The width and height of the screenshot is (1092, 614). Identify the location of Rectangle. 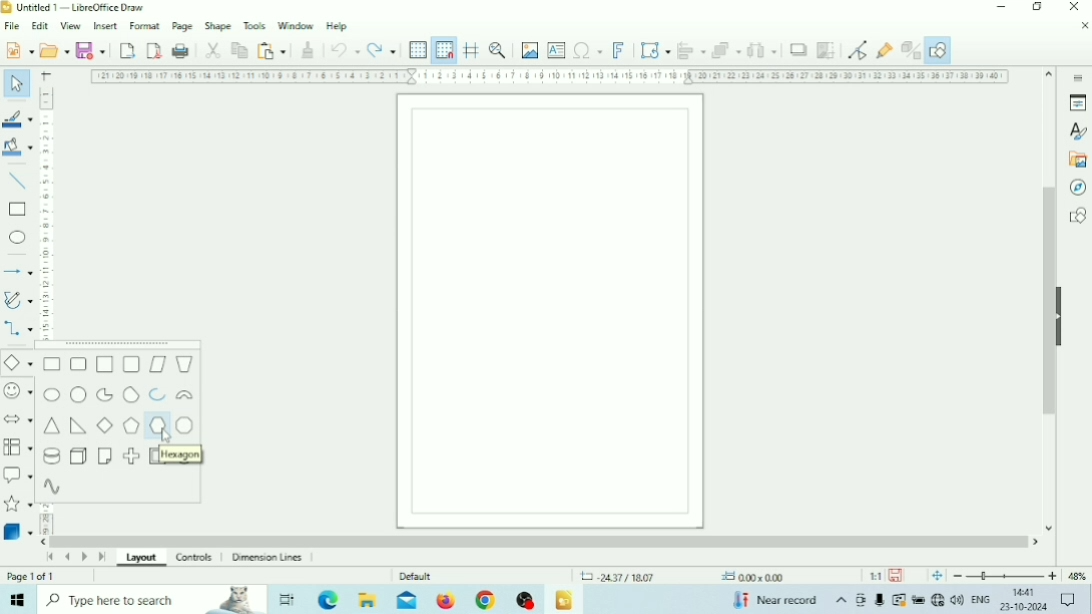
(17, 210).